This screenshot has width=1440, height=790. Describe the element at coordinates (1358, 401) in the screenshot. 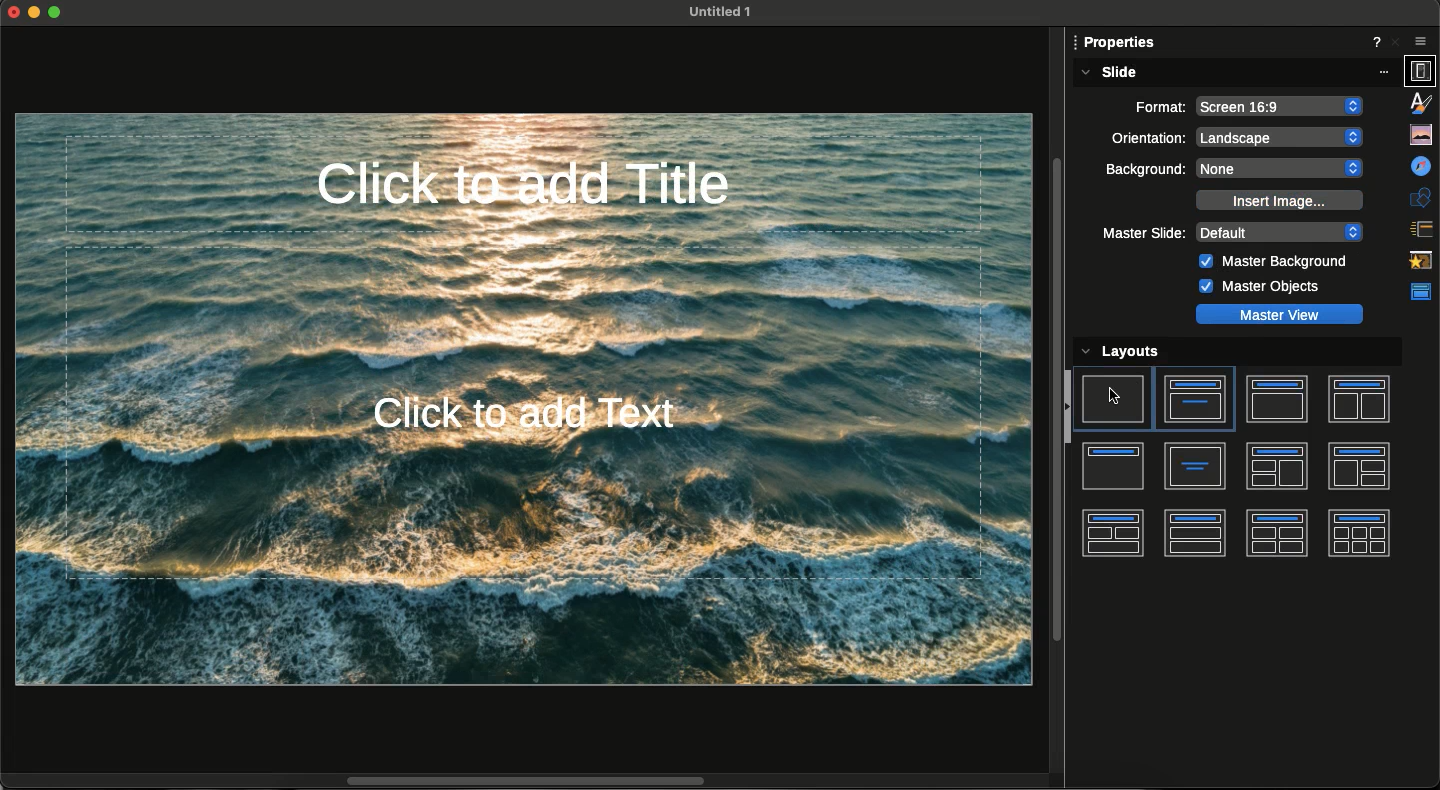

I see `Title an two text boxes` at that location.